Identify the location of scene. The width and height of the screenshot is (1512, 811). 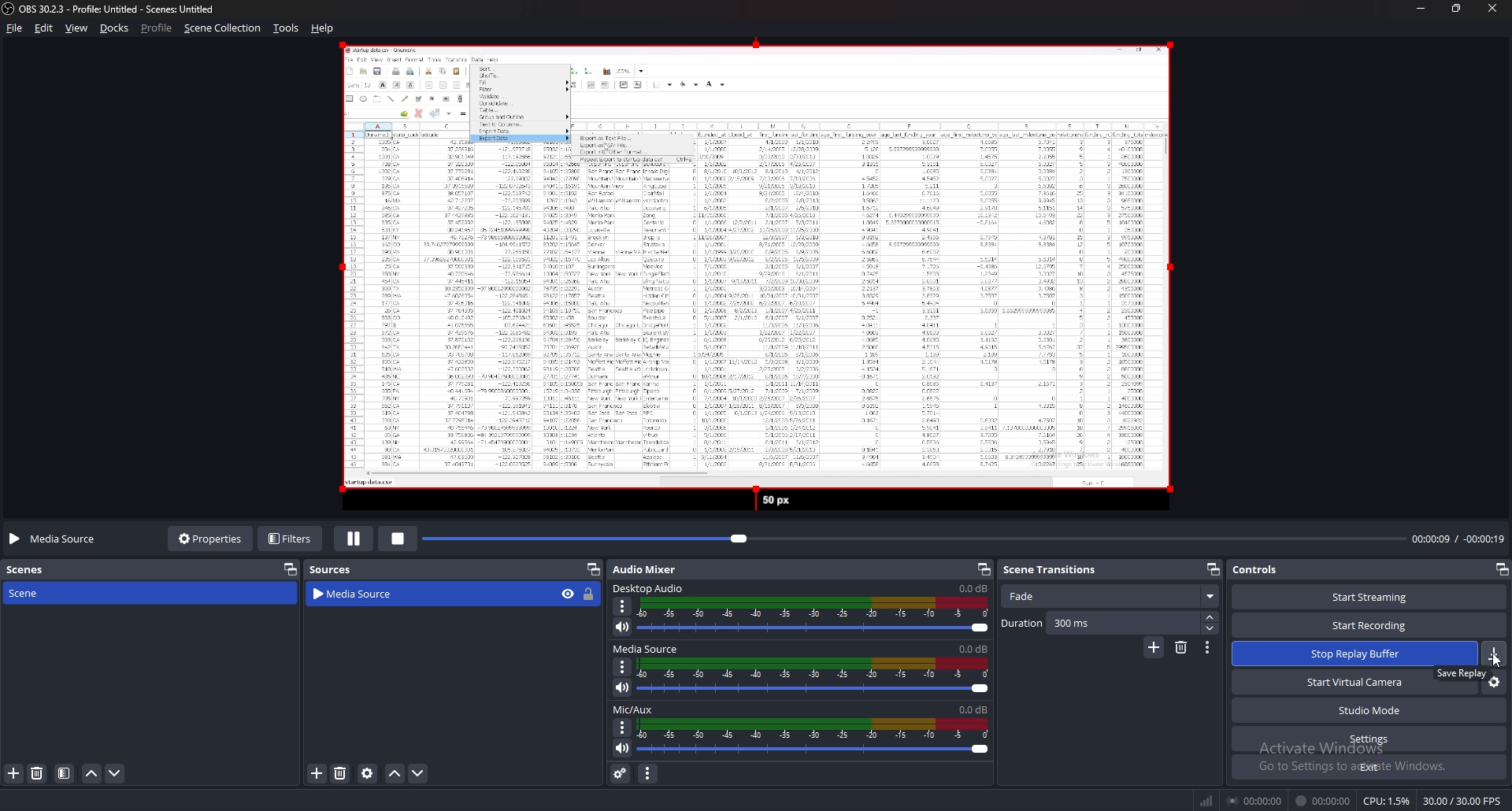
(30, 593).